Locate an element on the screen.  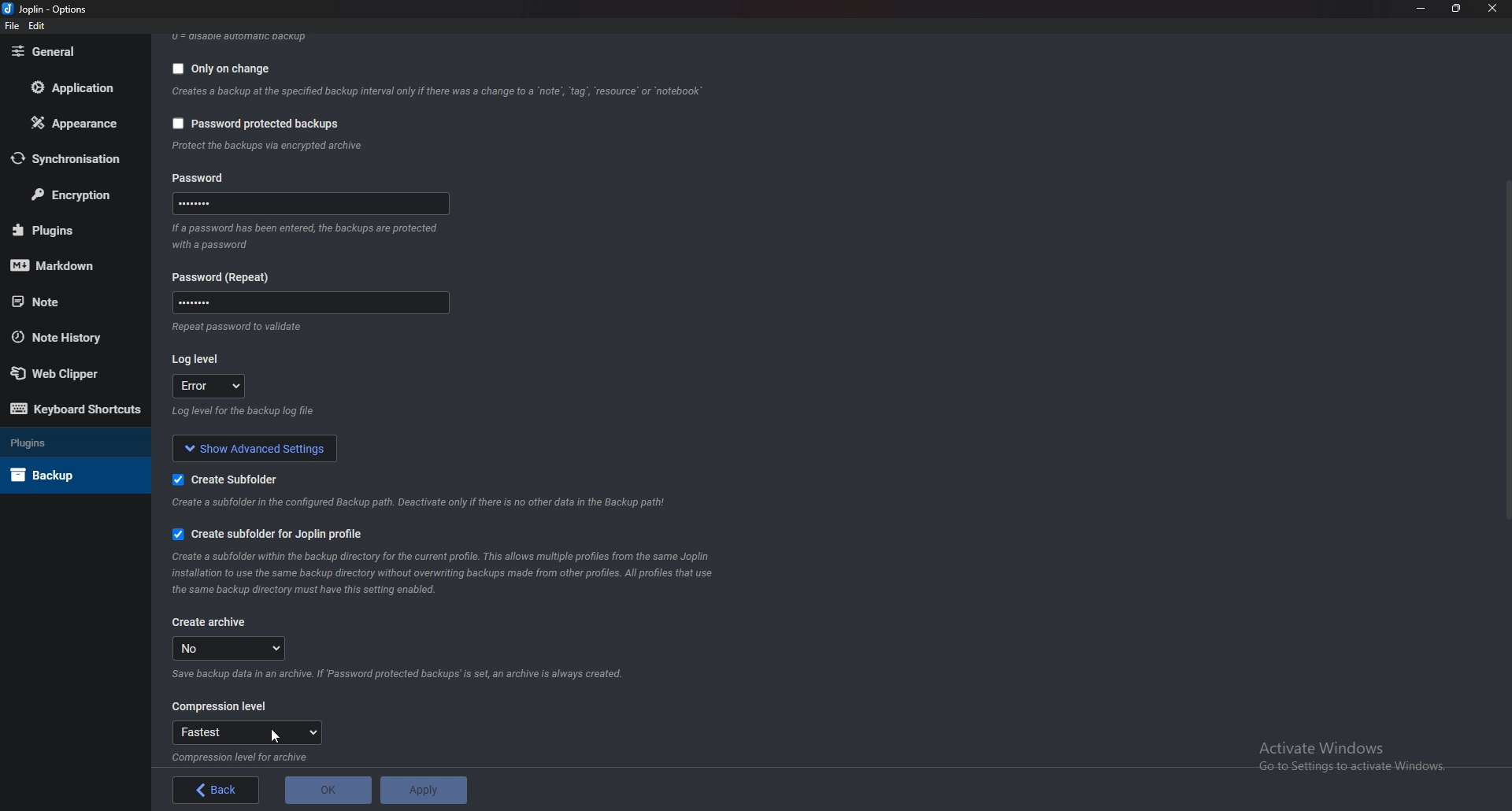
note is located at coordinates (64, 302).